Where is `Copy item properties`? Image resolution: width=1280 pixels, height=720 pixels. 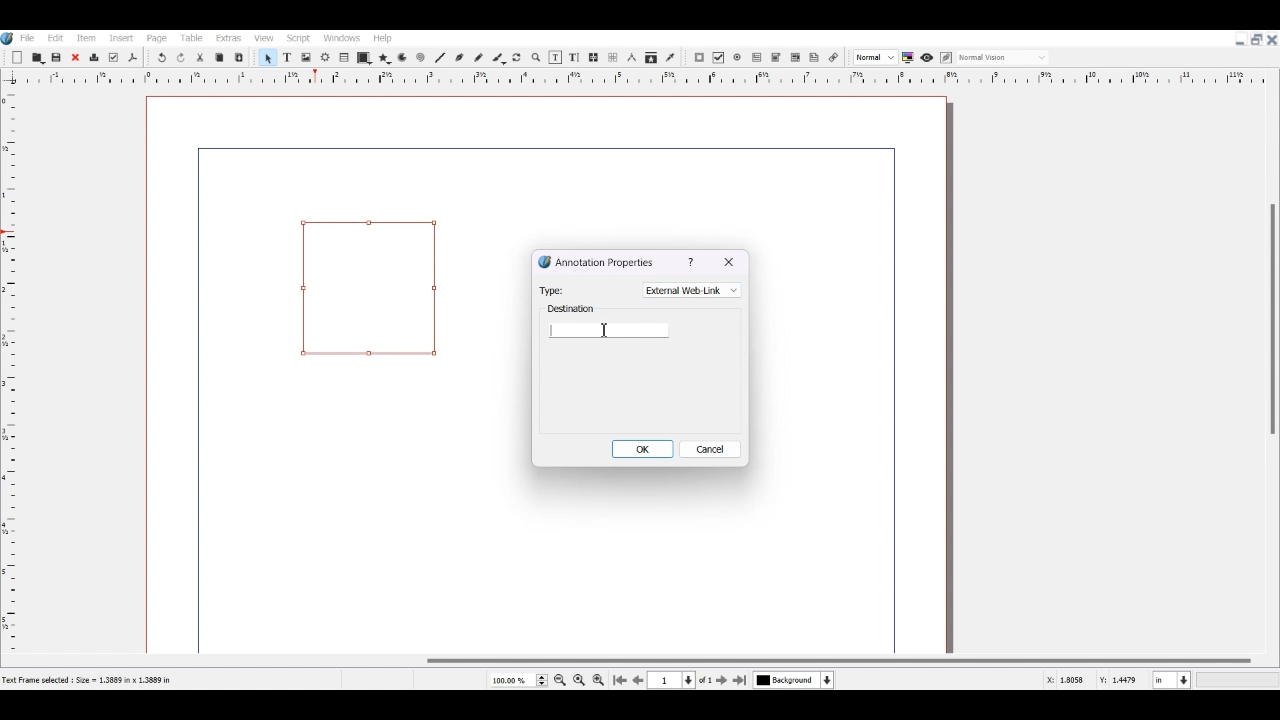
Copy item properties is located at coordinates (651, 59).